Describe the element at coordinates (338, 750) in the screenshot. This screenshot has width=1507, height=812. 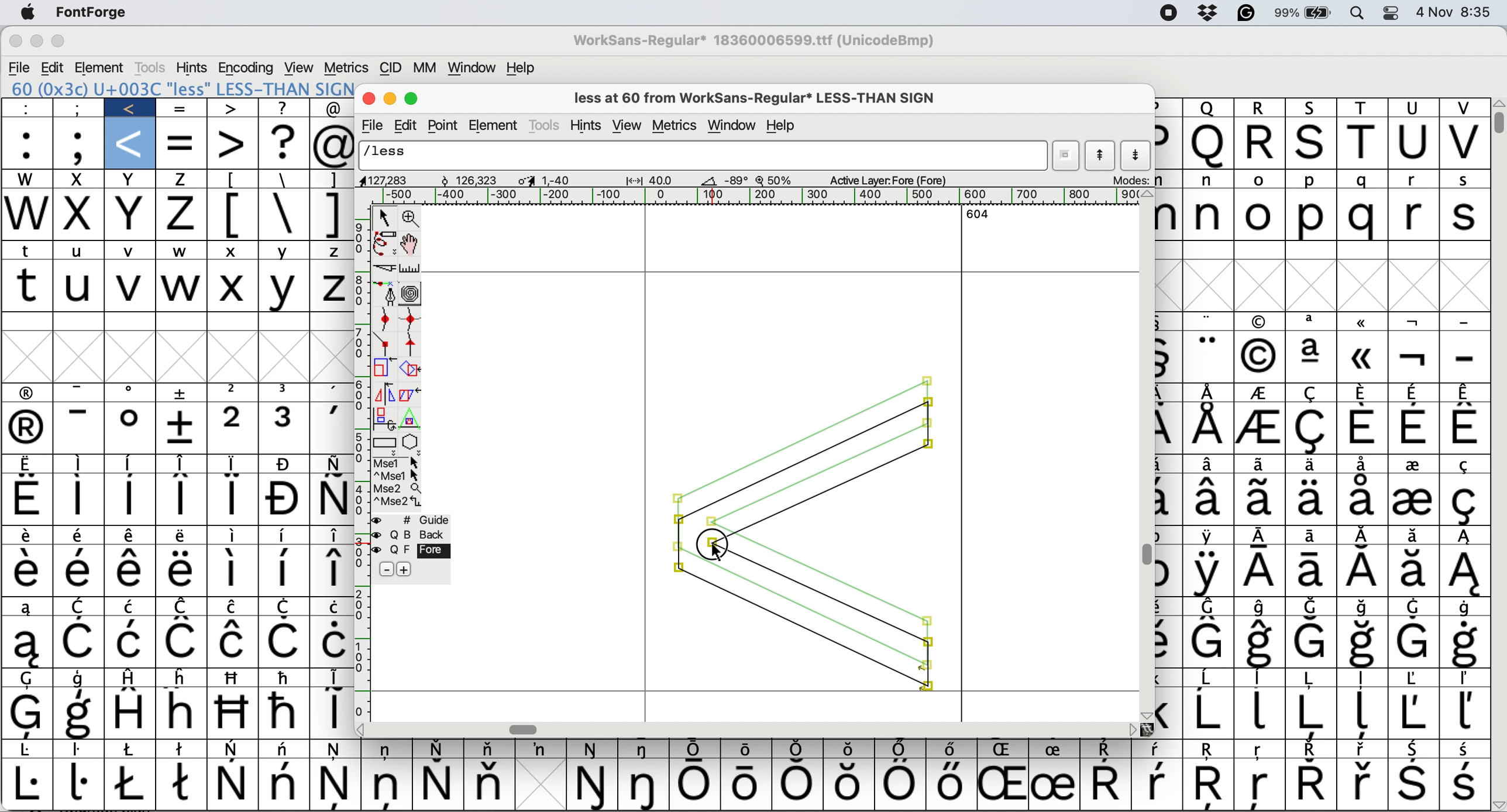
I see `Symbol` at that location.